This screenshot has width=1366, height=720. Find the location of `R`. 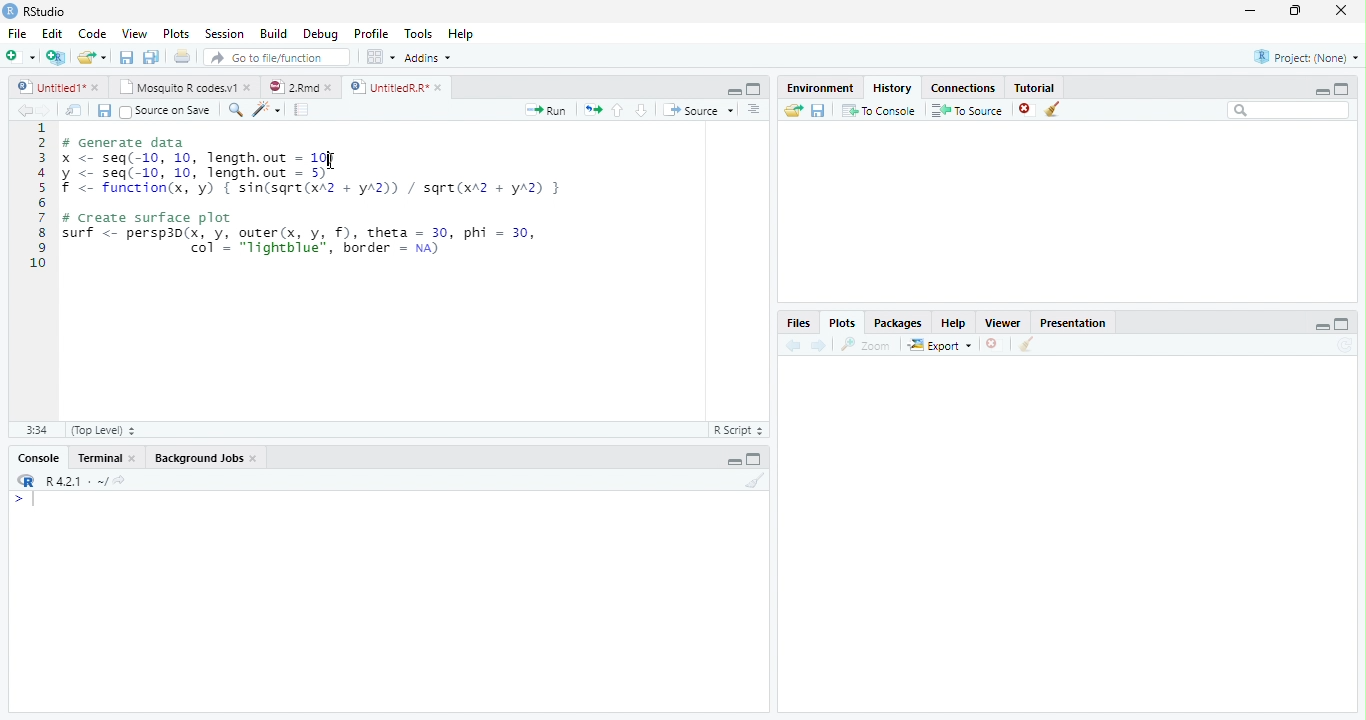

R is located at coordinates (24, 480).